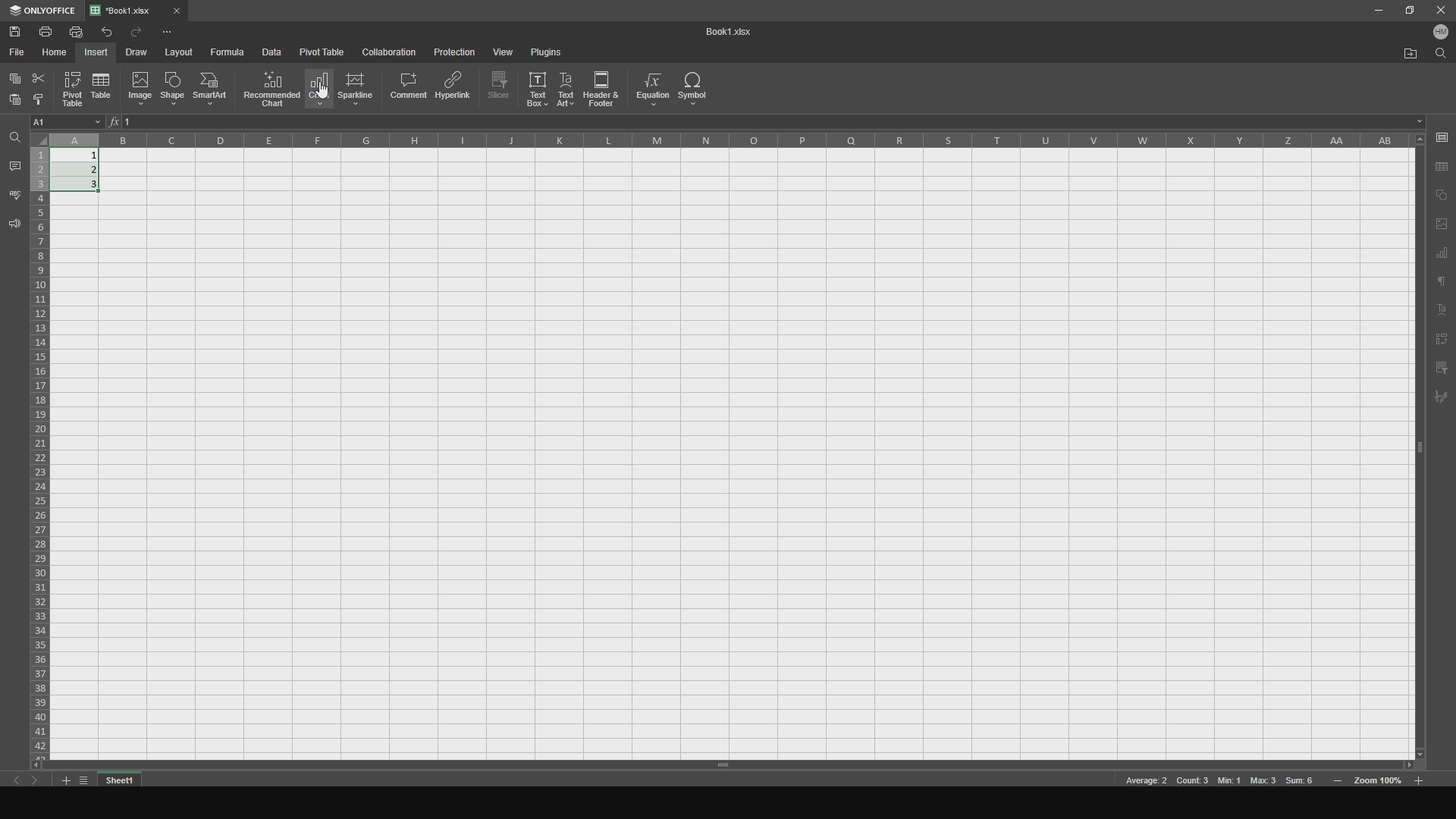 The height and width of the screenshot is (819, 1456). I want to click on feedback and support, so click(13, 226).